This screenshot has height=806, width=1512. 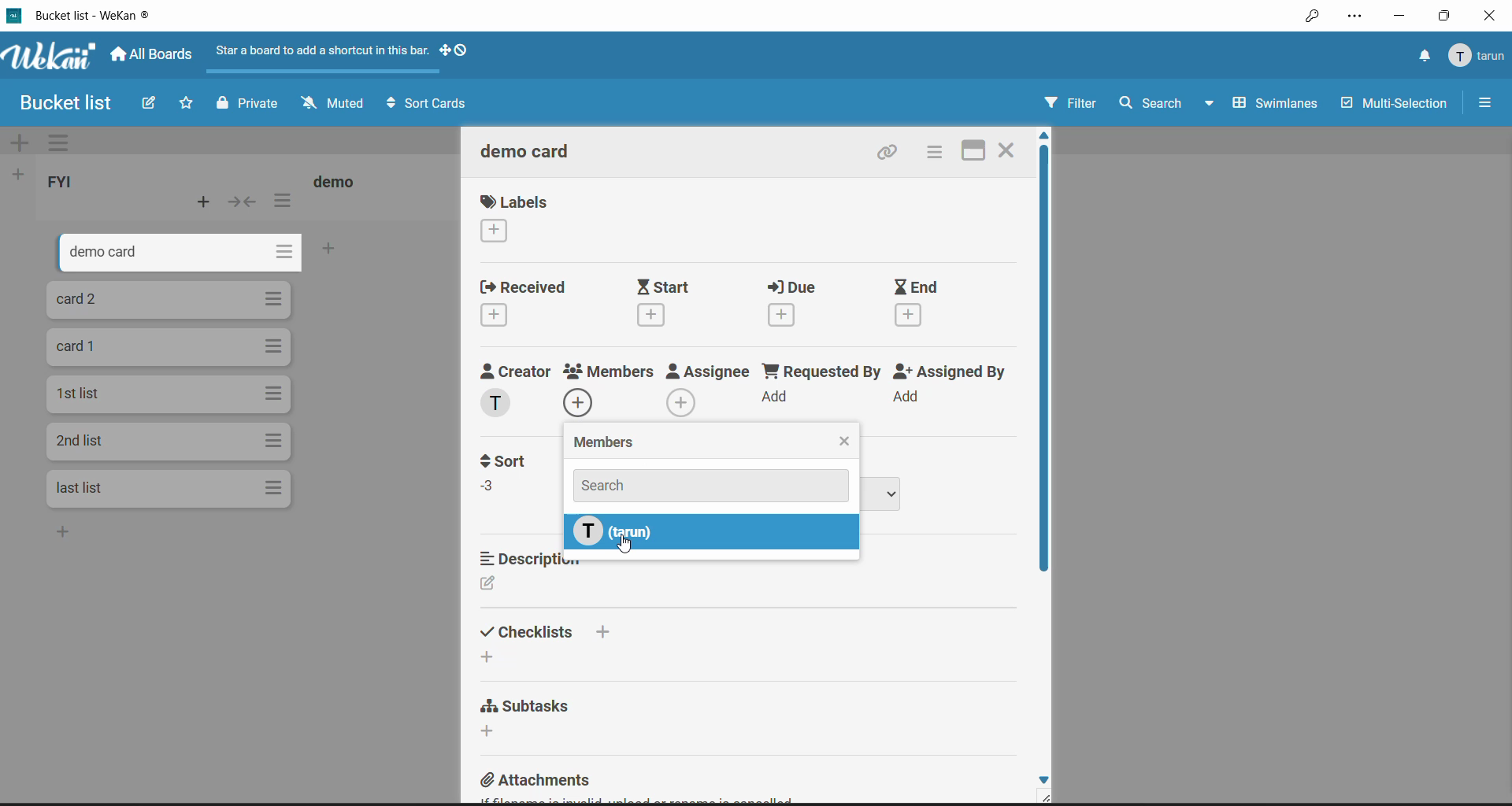 I want to click on click to star this board, so click(x=186, y=102).